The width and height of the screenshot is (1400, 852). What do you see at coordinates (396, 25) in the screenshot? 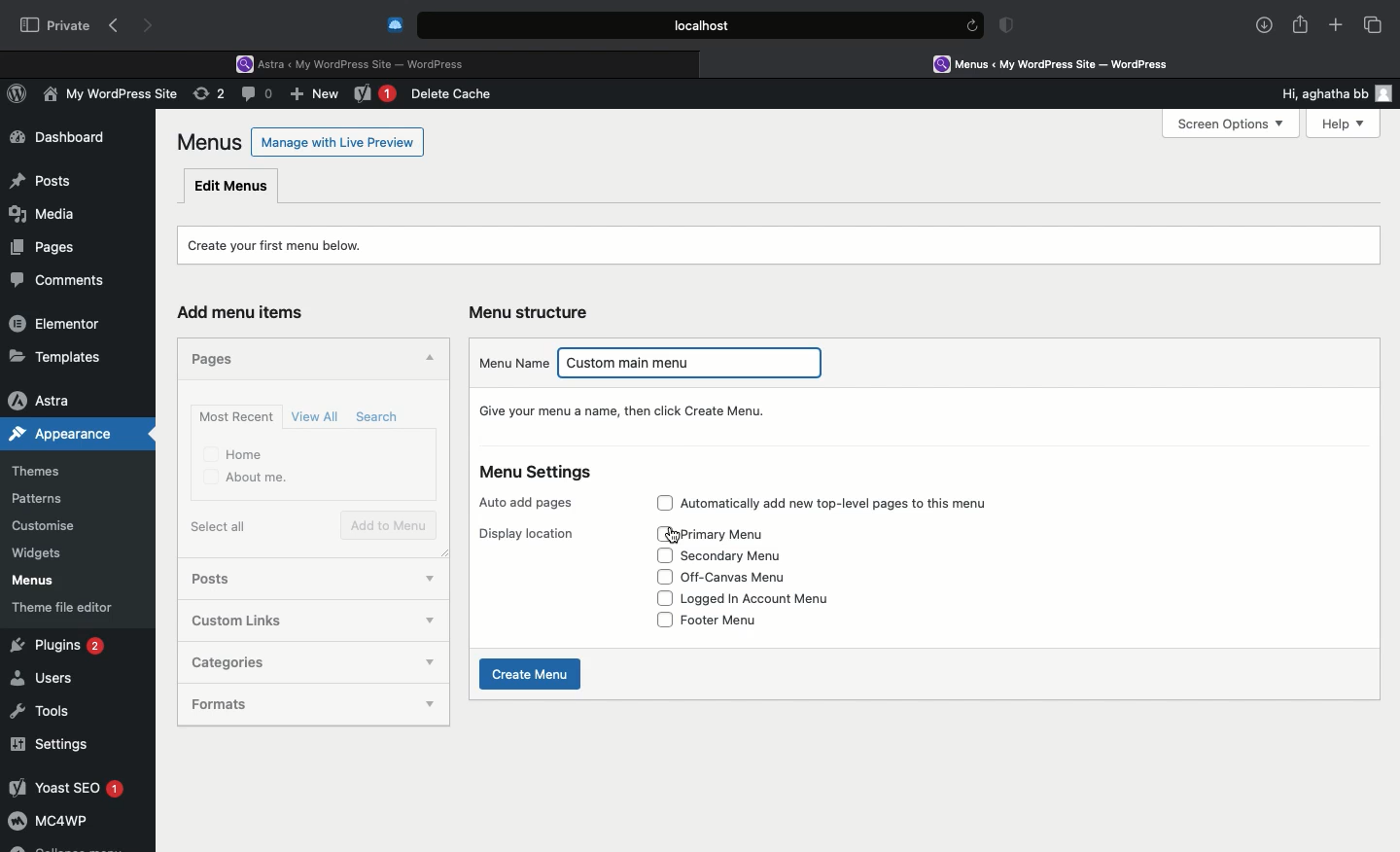
I see `Cold turkey` at bounding box center [396, 25].